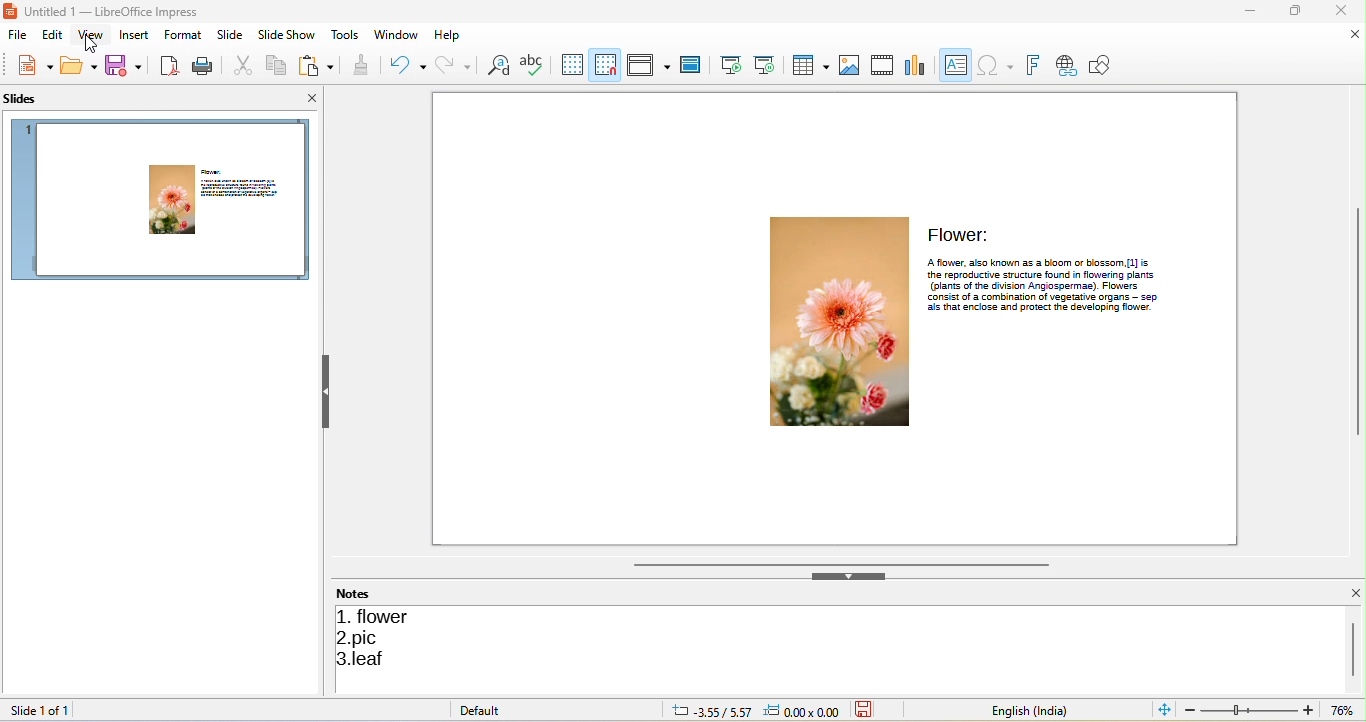 The width and height of the screenshot is (1366, 722). I want to click on redo, so click(456, 64).